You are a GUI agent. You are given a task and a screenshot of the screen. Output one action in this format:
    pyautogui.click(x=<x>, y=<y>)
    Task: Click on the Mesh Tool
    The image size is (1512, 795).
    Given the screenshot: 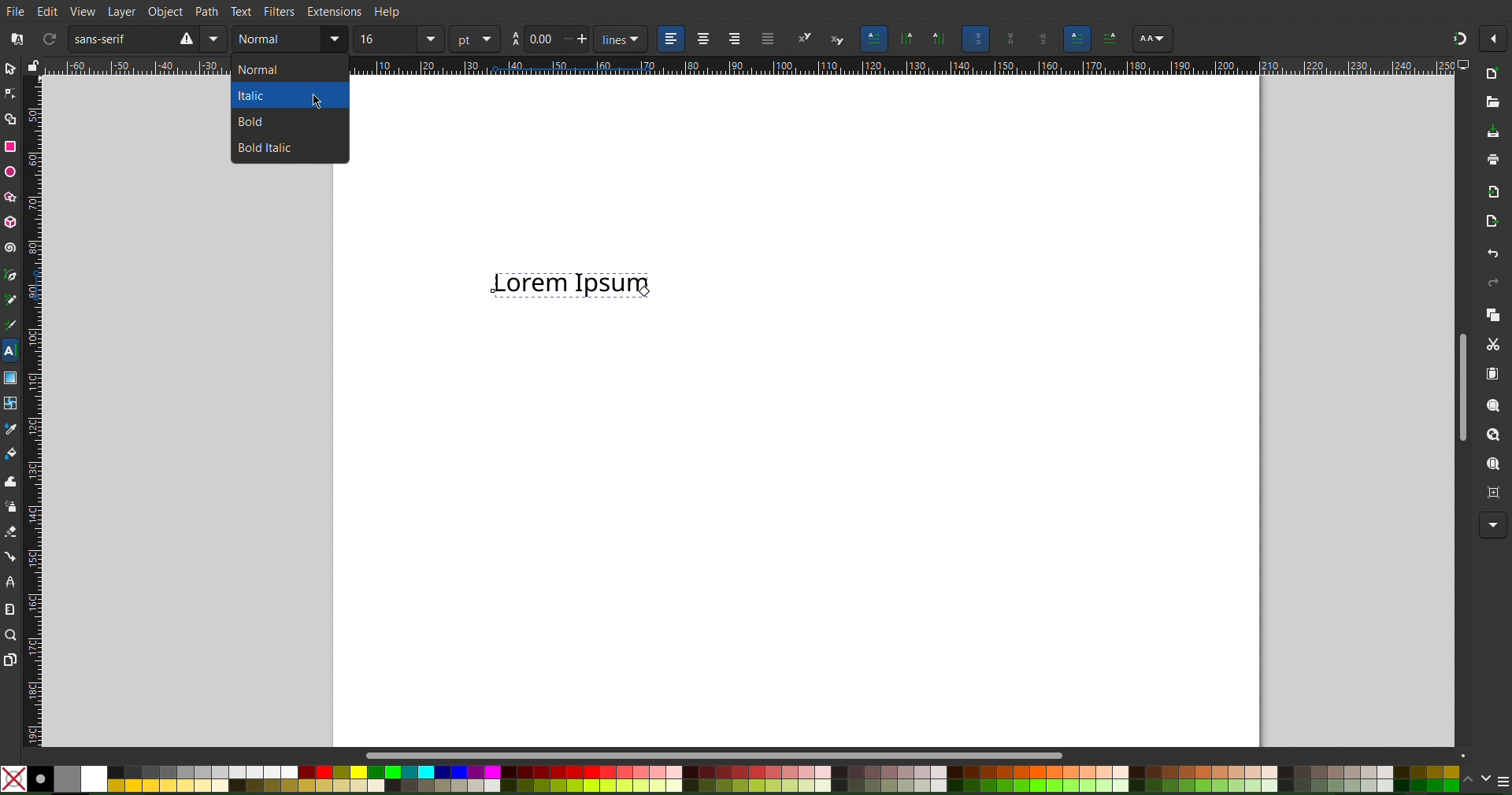 What is the action you would take?
    pyautogui.click(x=10, y=403)
    